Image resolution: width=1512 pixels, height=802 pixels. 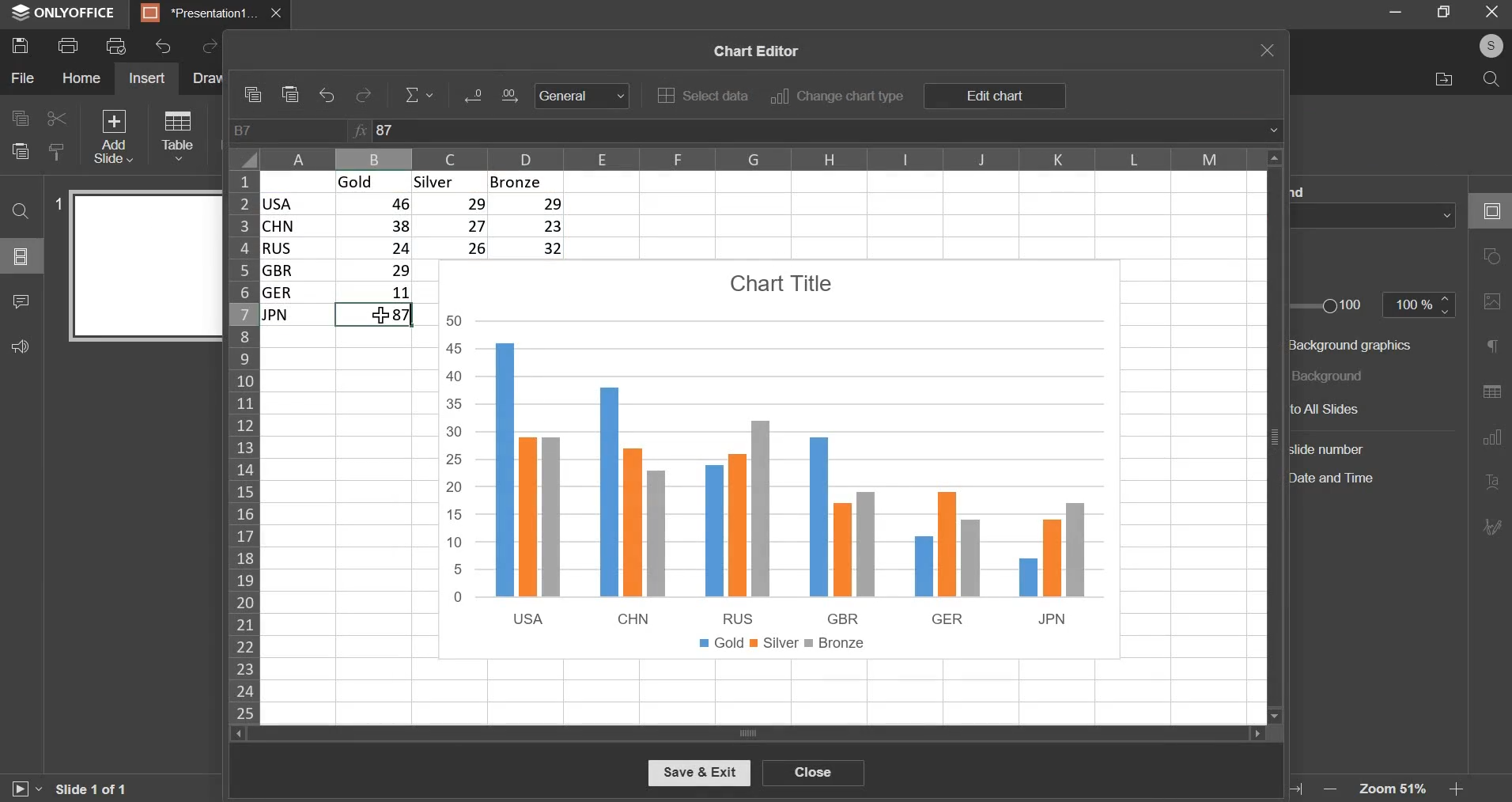 What do you see at coordinates (206, 48) in the screenshot?
I see `redo` at bounding box center [206, 48].